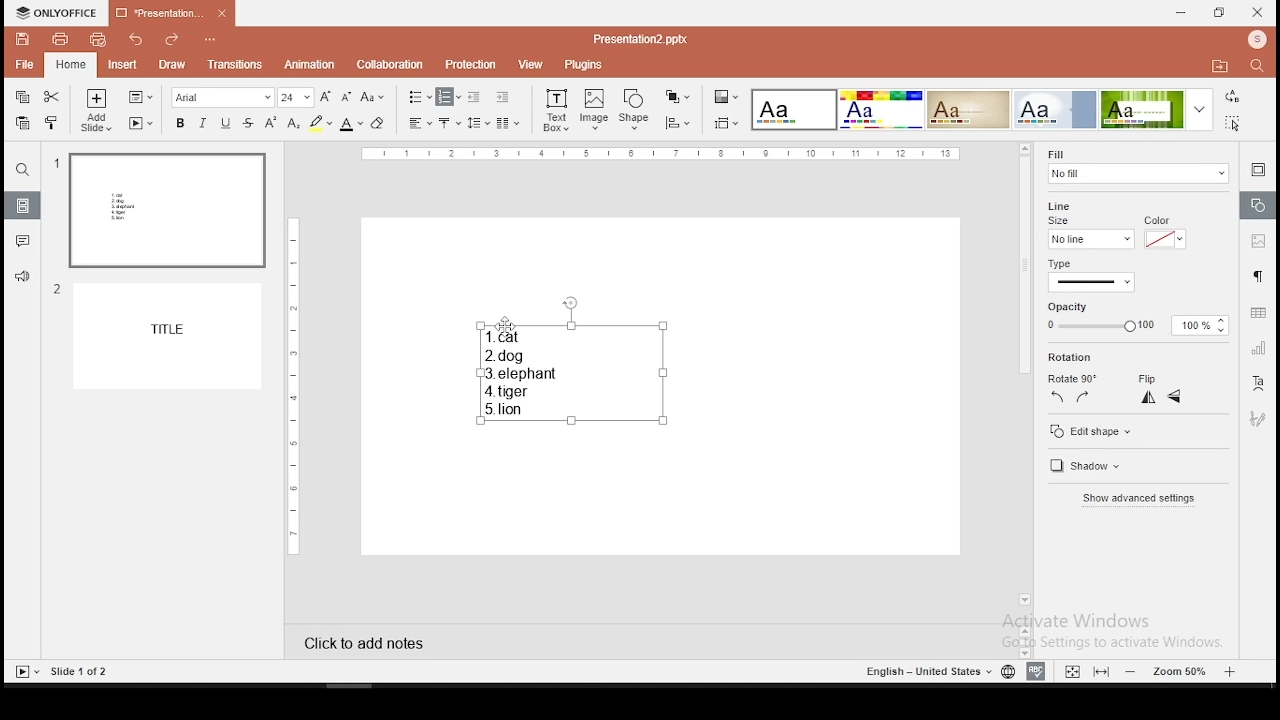 The height and width of the screenshot is (720, 1280). Describe the element at coordinates (23, 97) in the screenshot. I see `copy` at that location.